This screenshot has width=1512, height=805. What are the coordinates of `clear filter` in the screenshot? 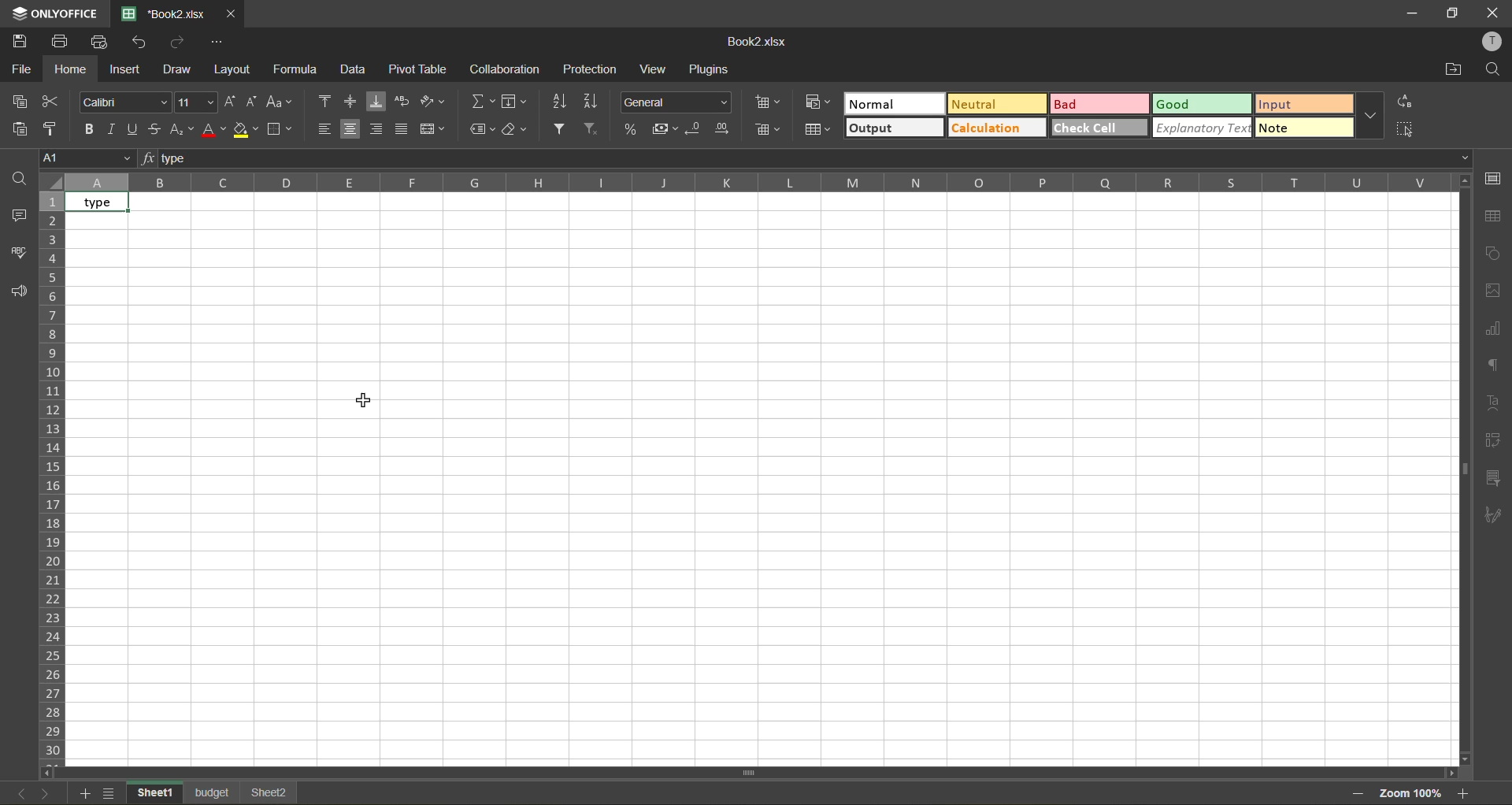 It's located at (591, 129).